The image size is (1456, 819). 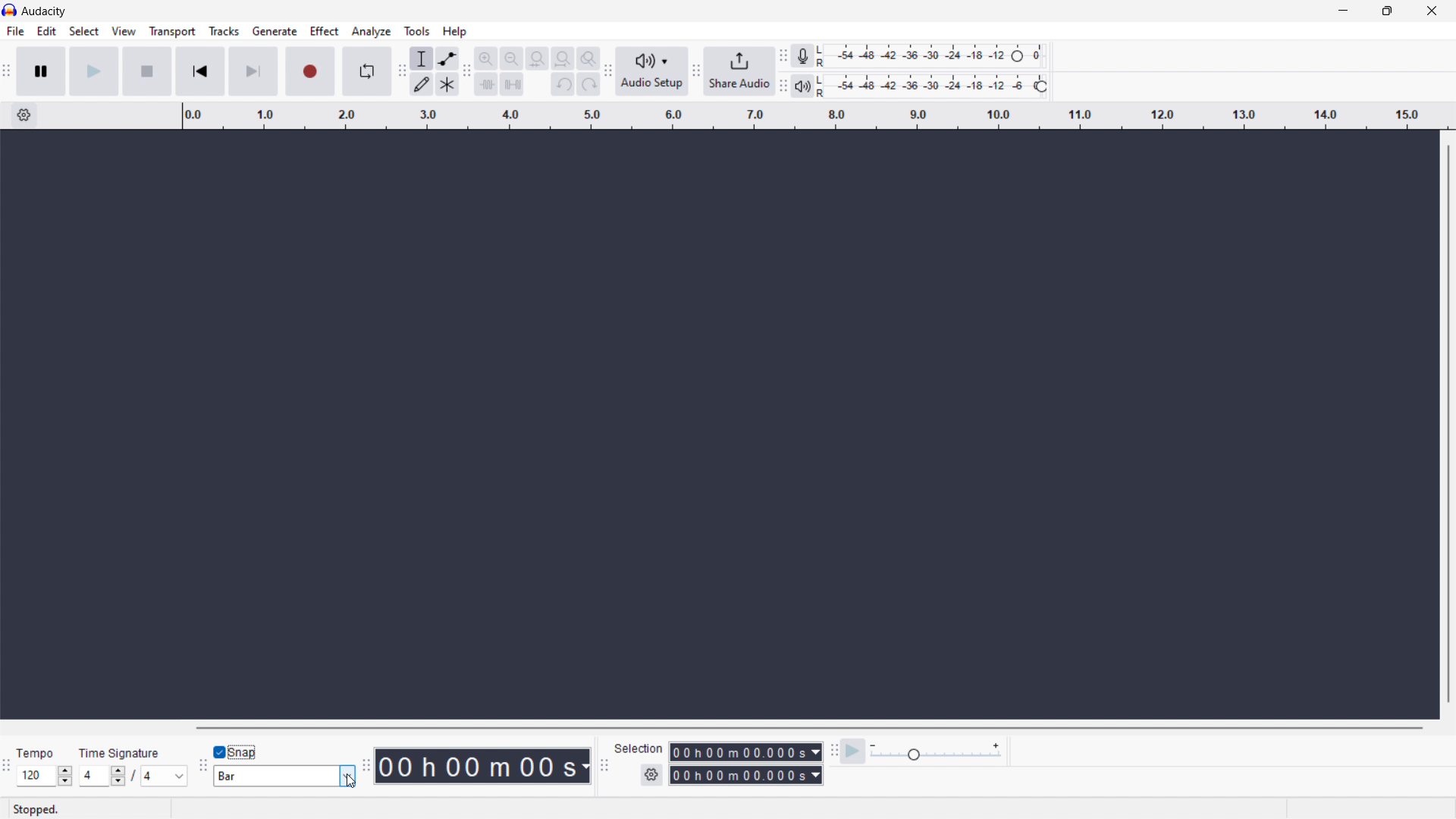 I want to click on play, so click(x=93, y=71).